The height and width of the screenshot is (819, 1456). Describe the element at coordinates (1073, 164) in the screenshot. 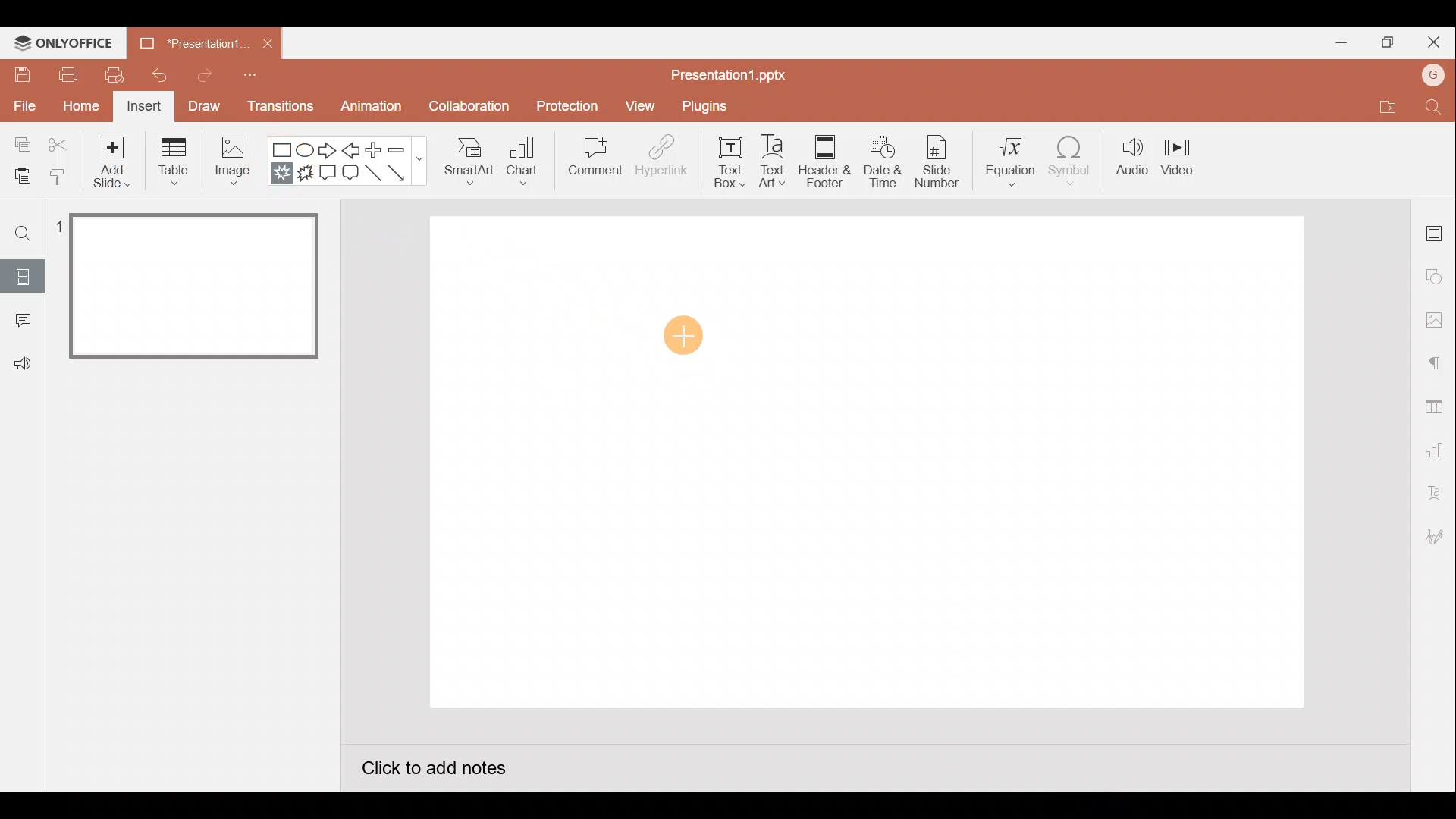

I see `Symbol` at that location.